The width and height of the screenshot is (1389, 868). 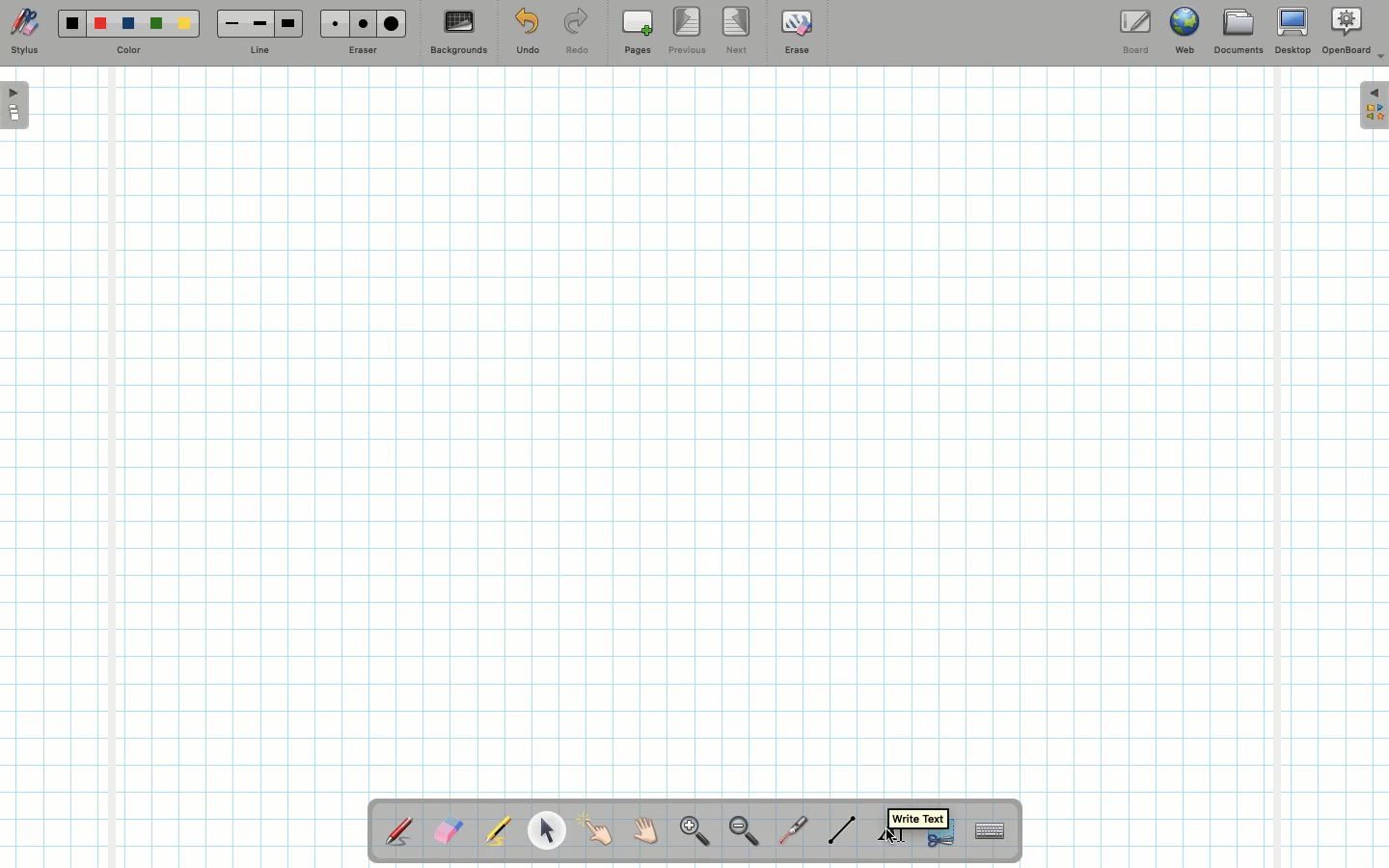 I want to click on Small eraser, so click(x=330, y=23).